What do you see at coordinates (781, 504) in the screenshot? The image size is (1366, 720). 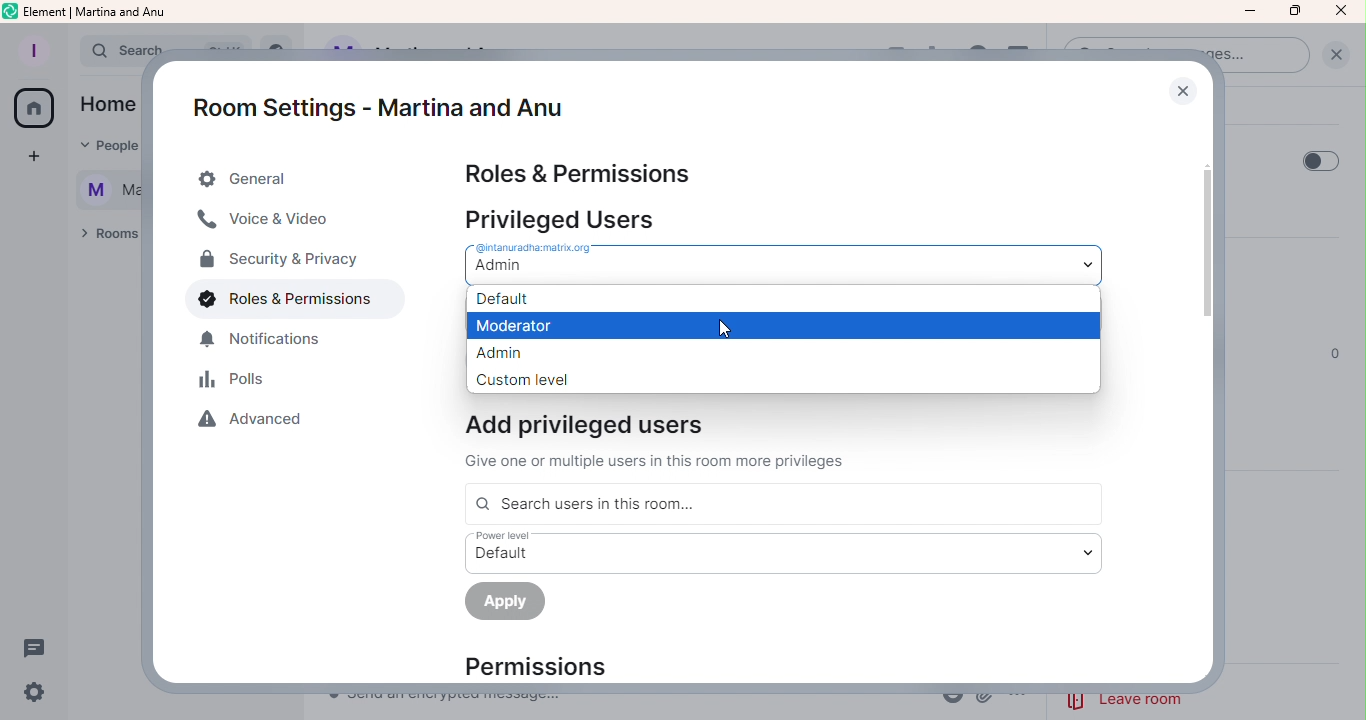 I see `Search users in this room` at bounding box center [781, 504].